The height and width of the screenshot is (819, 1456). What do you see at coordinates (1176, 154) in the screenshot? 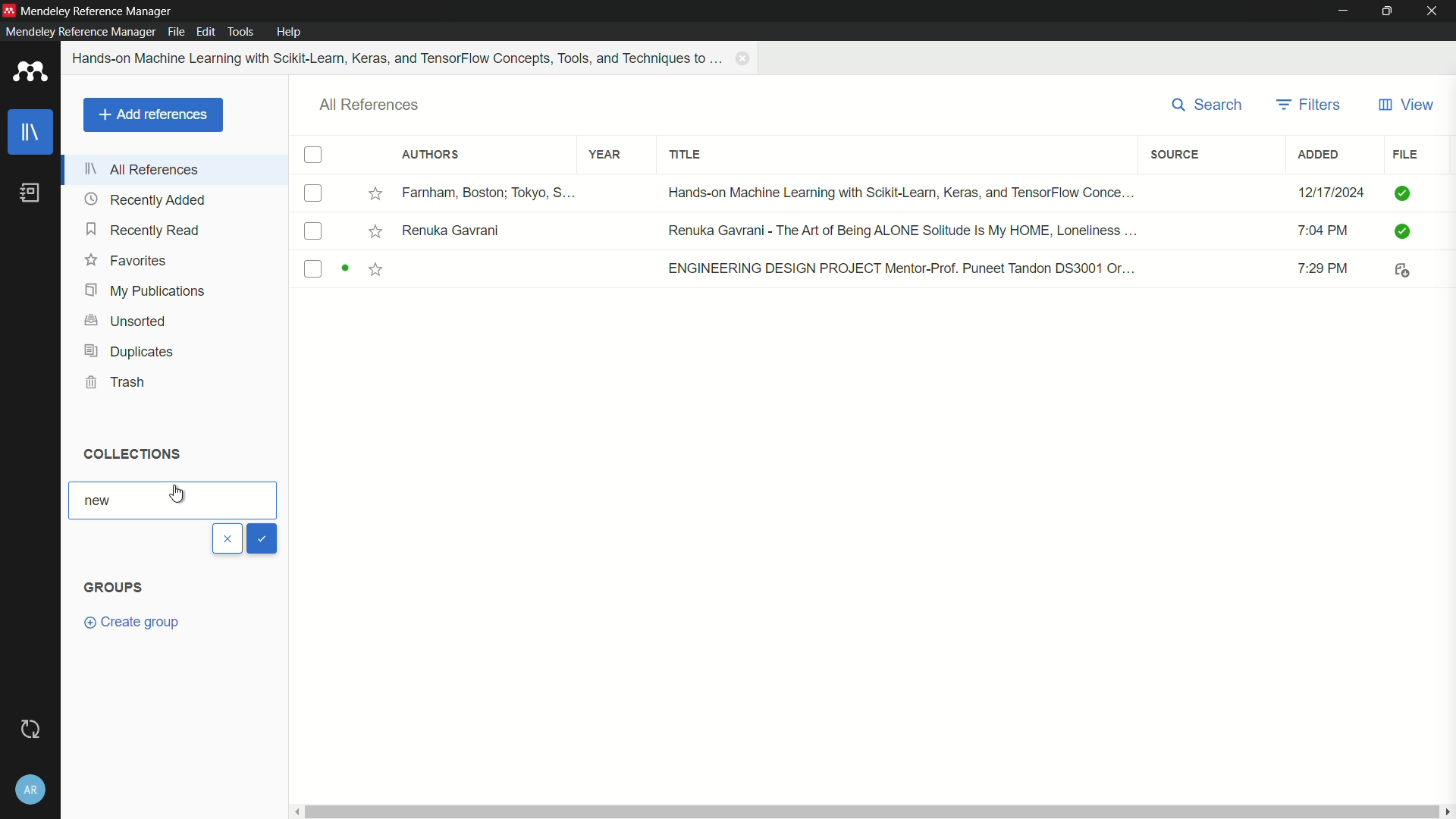
I see `source` at bounding box center [1176, 154].